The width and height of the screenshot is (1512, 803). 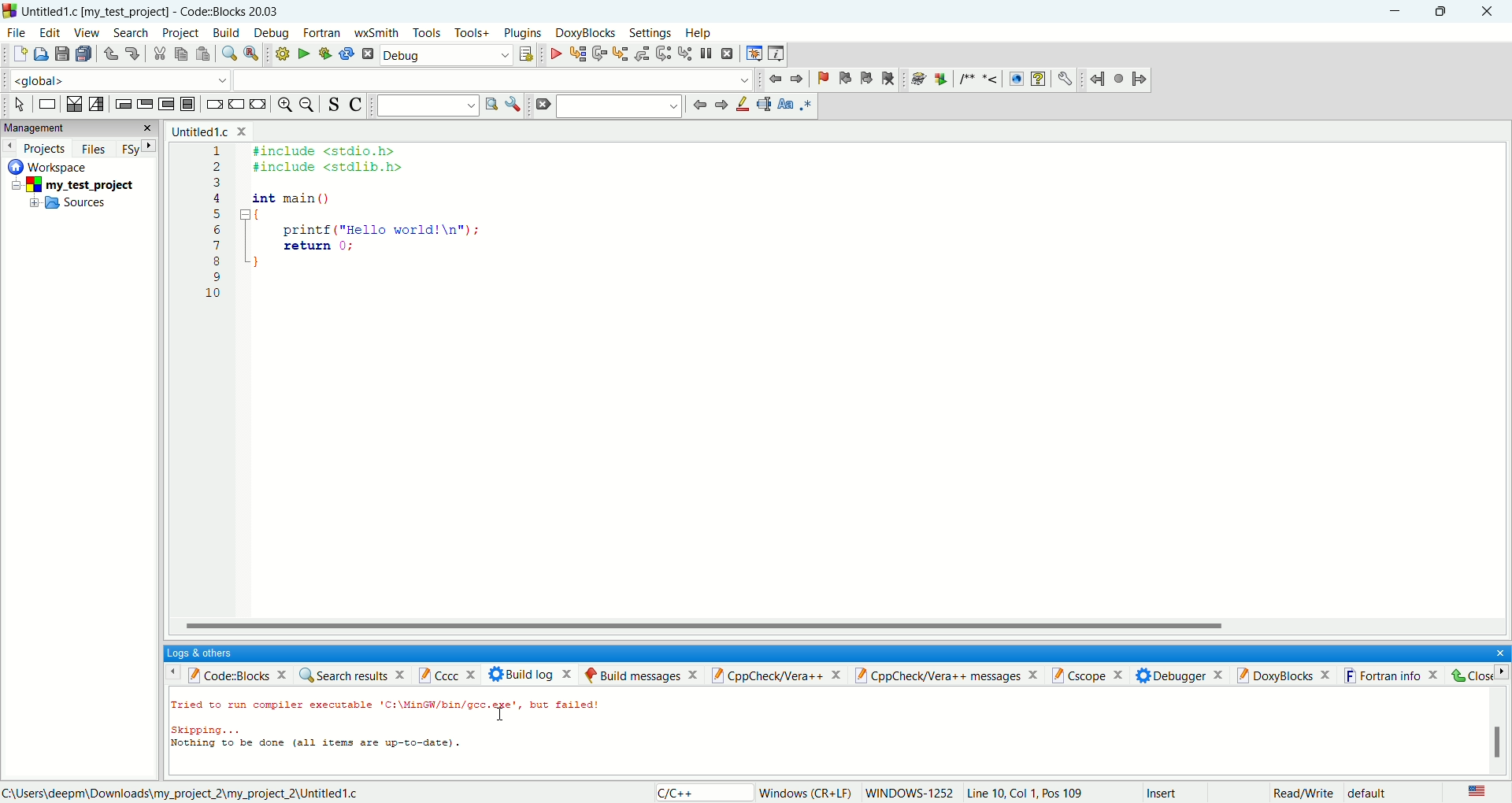 I want to click on jump forward, so click(x=798, y=78).